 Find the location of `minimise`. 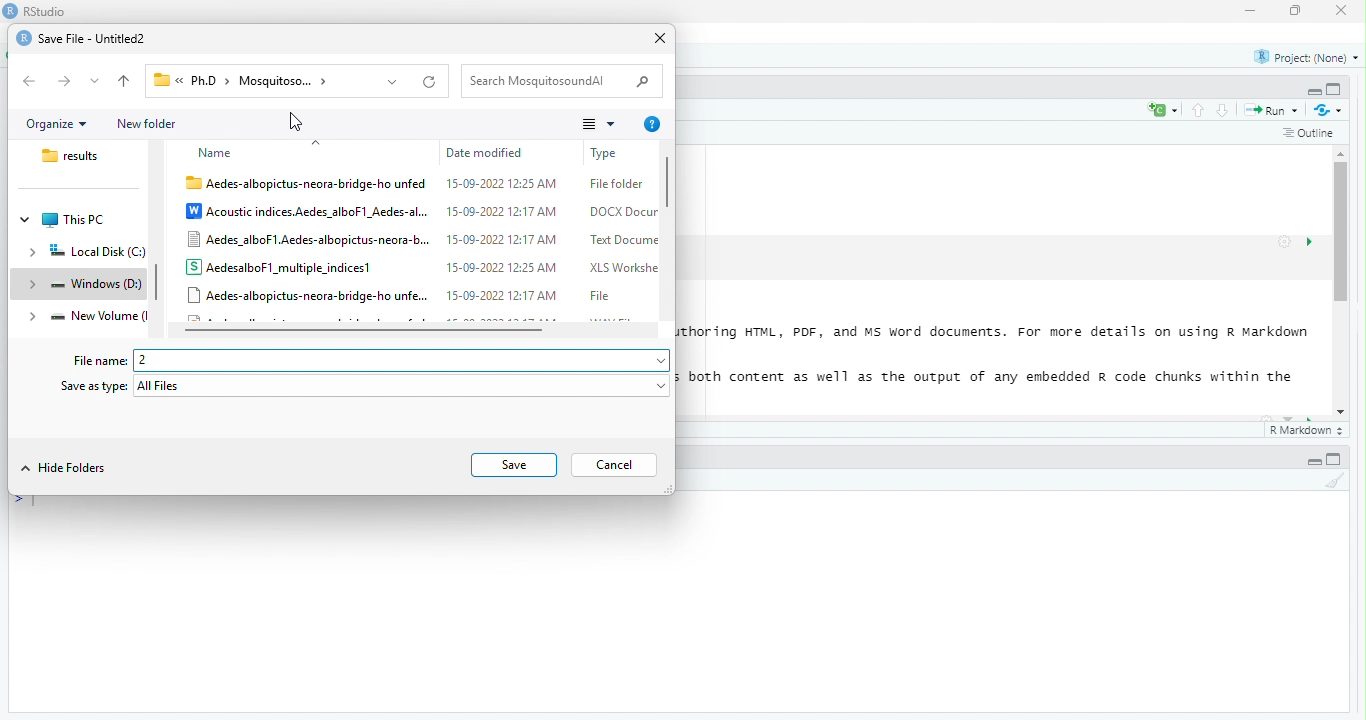

minimise is located at coordinates (1253, 10).